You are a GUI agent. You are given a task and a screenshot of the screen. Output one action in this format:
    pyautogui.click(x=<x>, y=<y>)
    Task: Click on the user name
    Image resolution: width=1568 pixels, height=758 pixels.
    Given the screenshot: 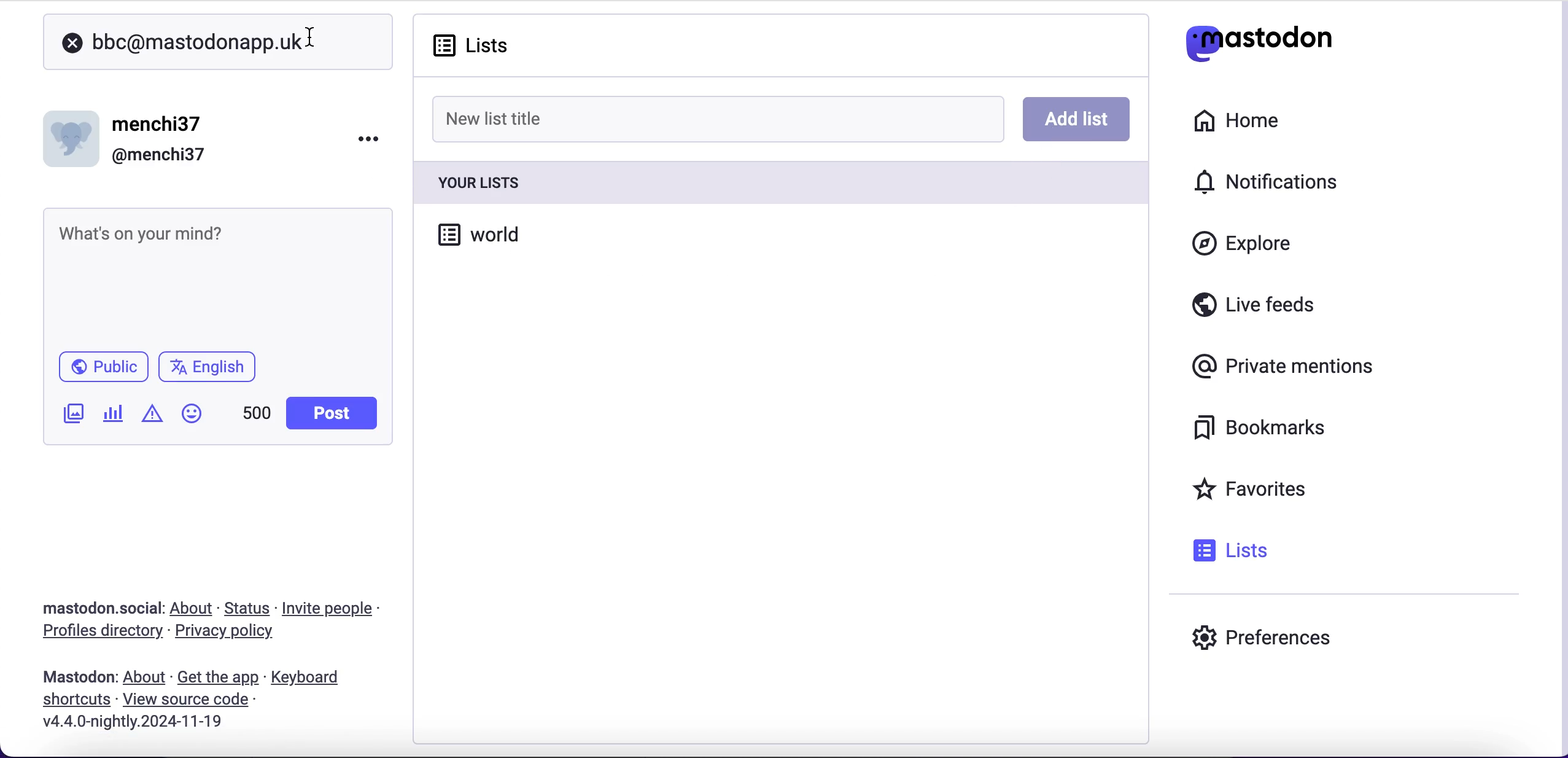 What is the action you would take?
    pyautogui.click(x=134, y=137)
    